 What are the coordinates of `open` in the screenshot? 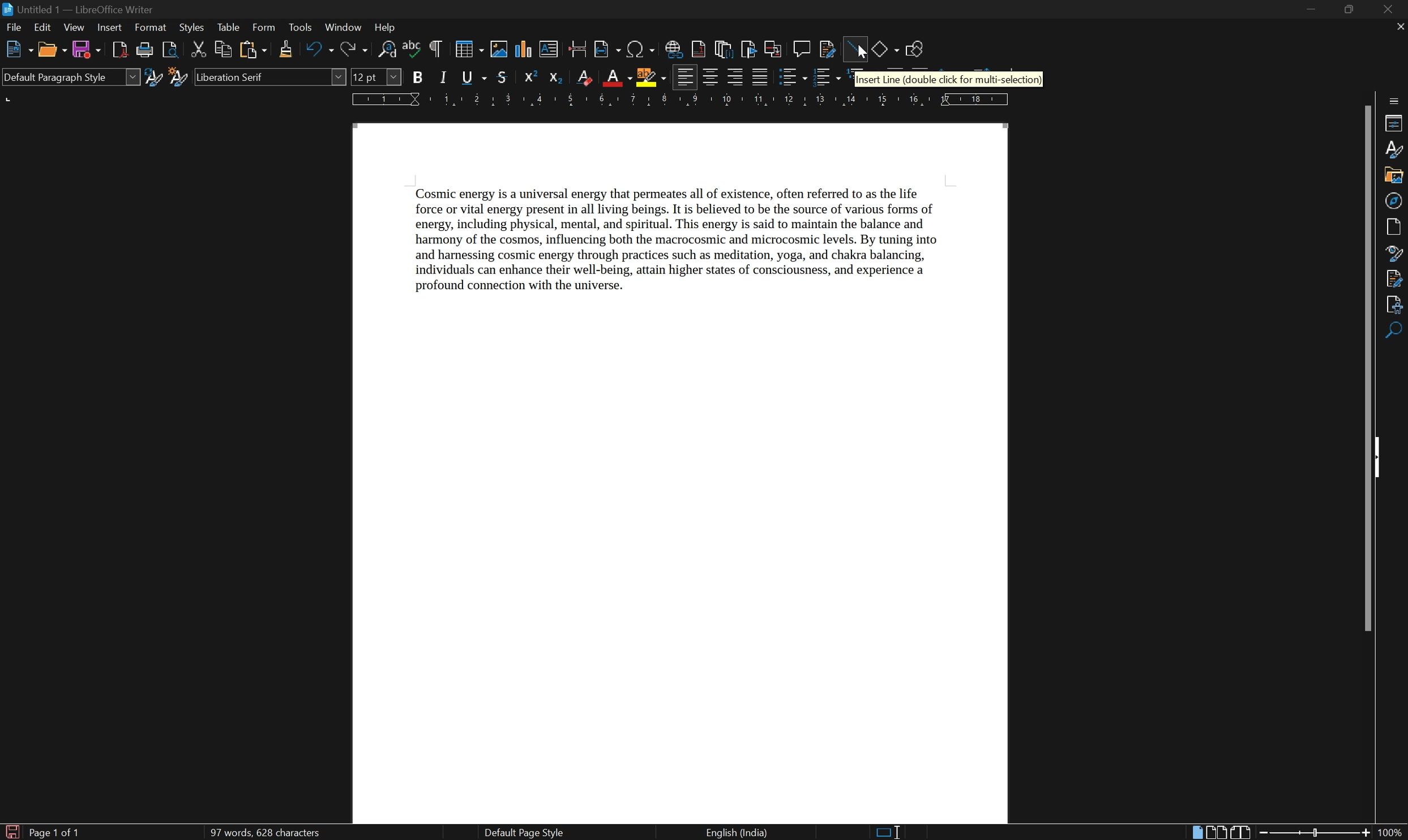 It's located at (53, 50).